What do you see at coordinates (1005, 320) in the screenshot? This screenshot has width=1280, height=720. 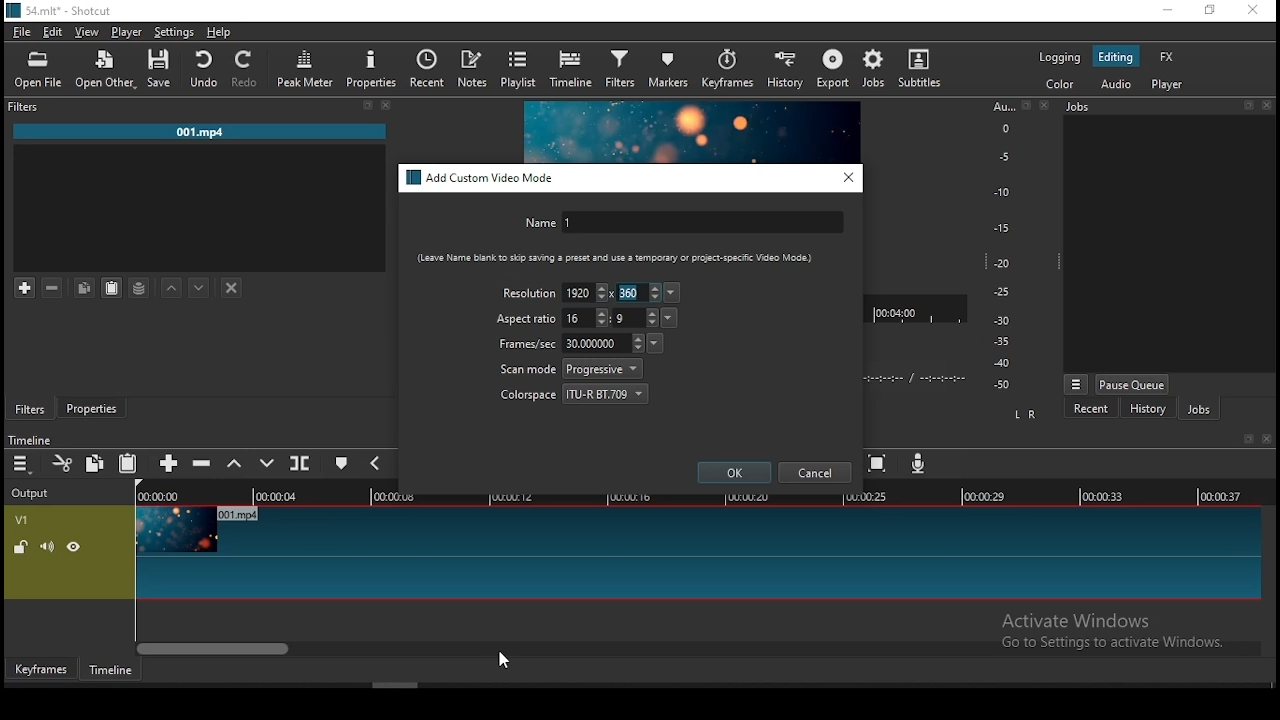 I see `-30` at bounding box center [1005, 320].